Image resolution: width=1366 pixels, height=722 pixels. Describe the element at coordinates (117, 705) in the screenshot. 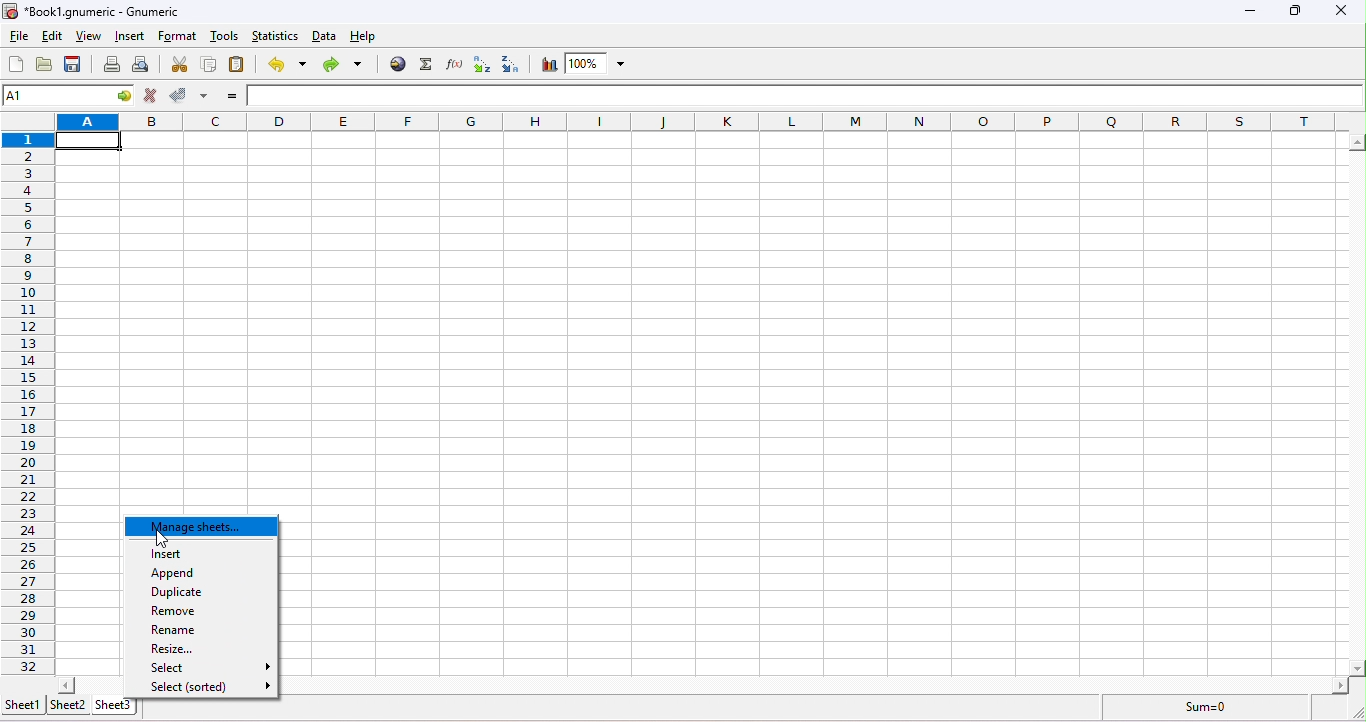

I see `sheet 3` at that location.